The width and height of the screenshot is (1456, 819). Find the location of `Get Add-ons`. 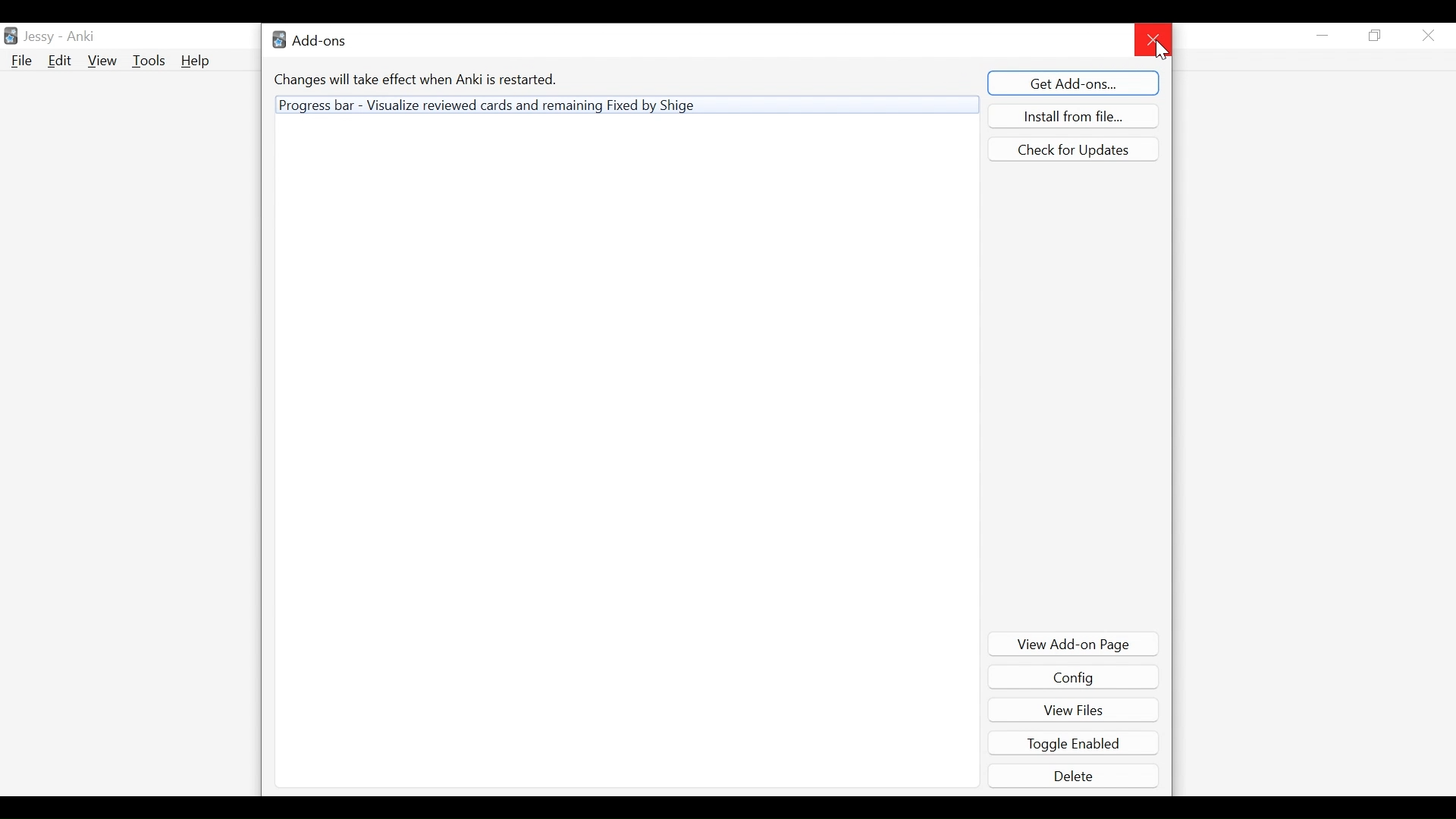

Get Add-ons is located at coordinates (1075, 82).